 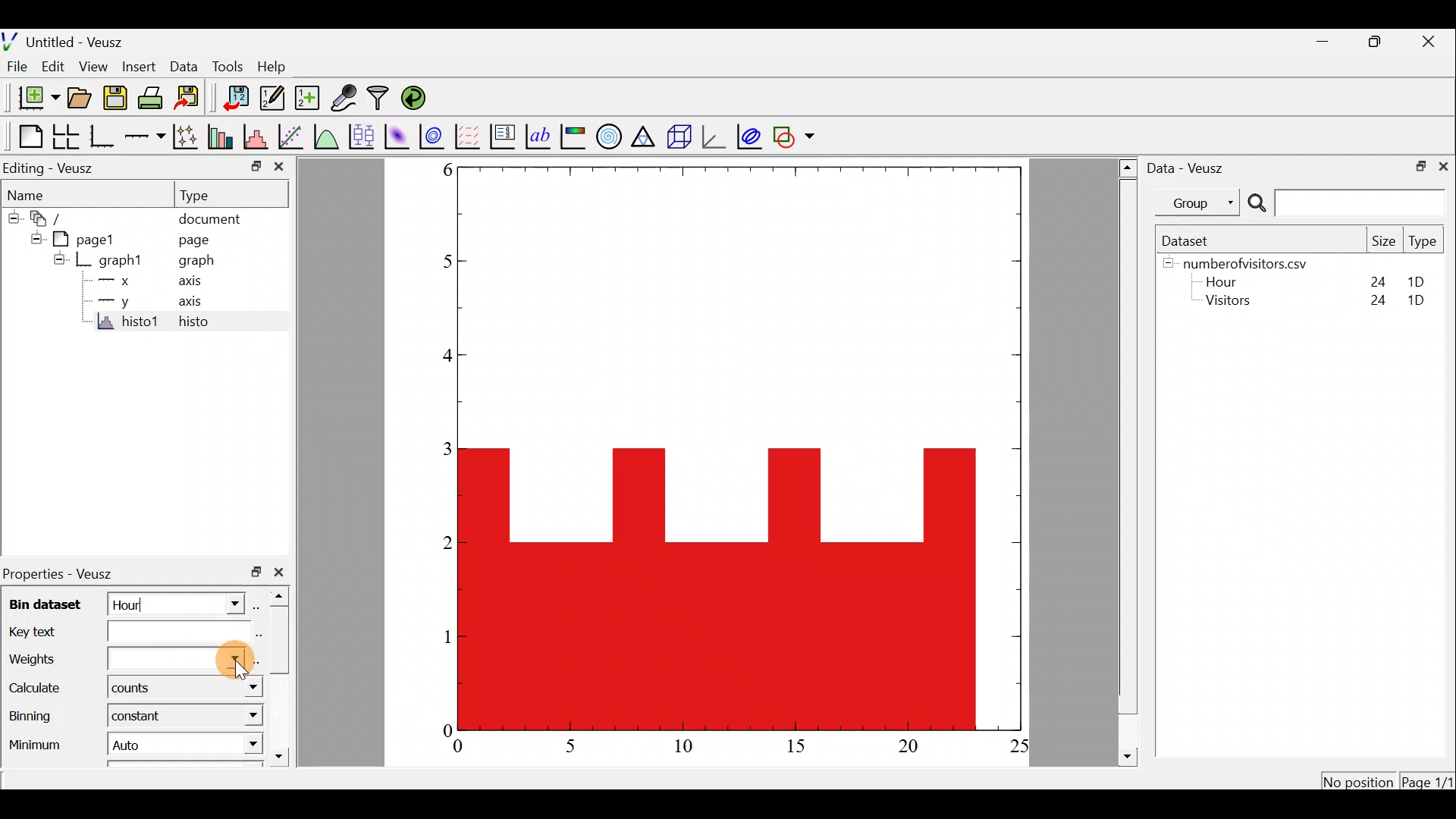 I want to click on 24, so click(x=1374, y=301).